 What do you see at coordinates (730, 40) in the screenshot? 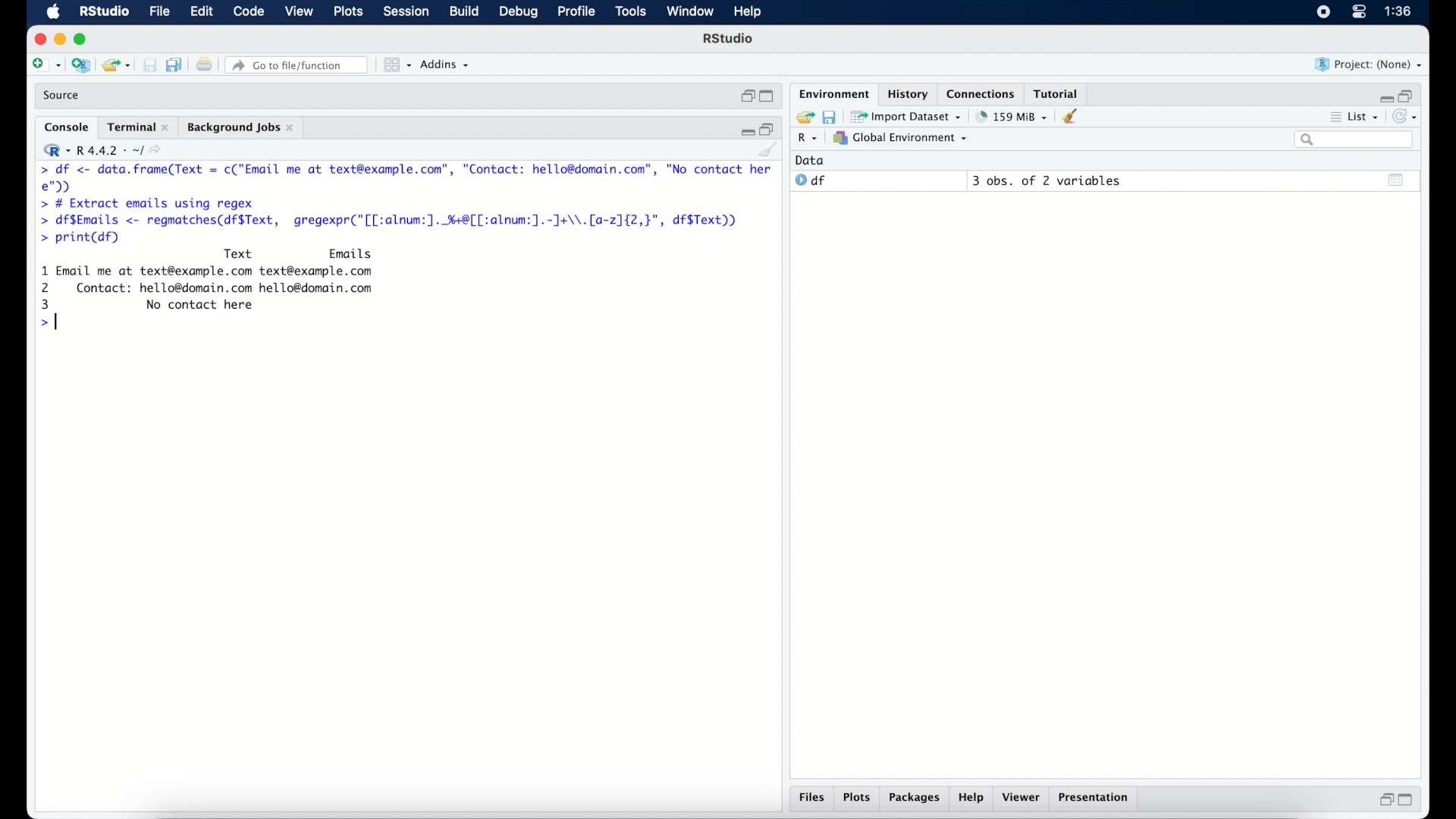
I see `R Studio` at bounding box center [730, 40].